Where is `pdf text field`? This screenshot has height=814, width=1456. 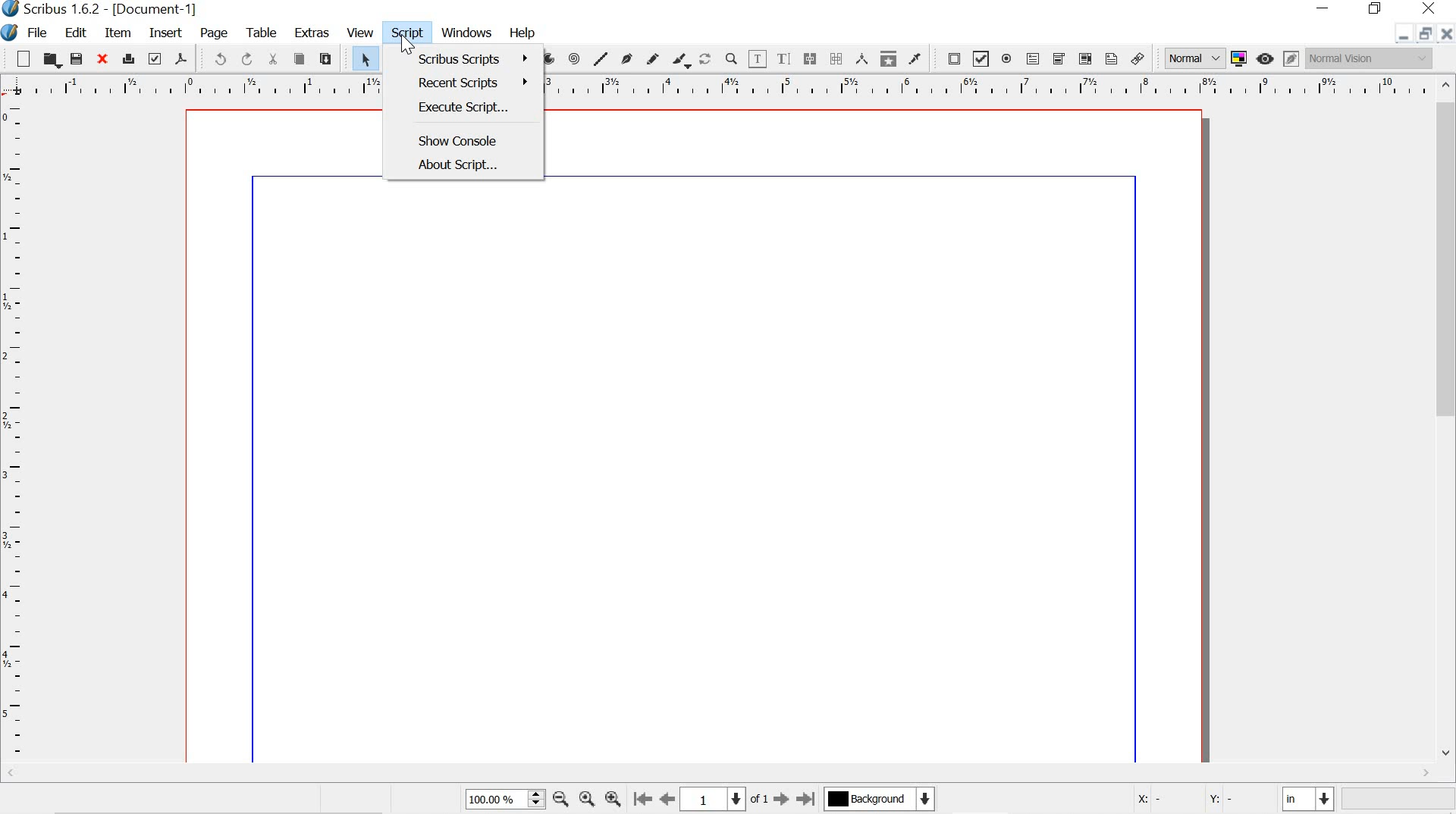
pdf text field is located at coordinates (1034, 60).